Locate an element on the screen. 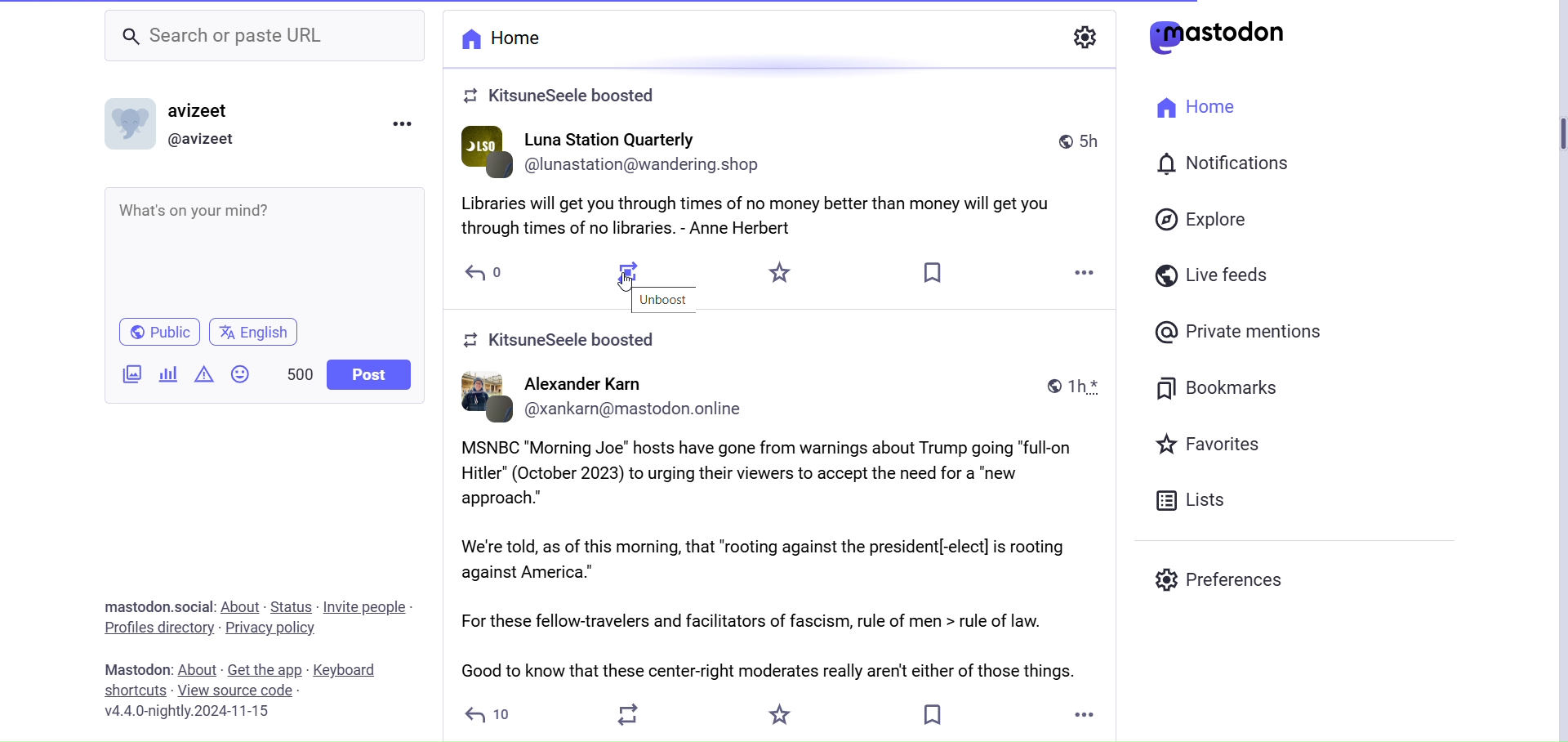 The width and height of the screenshot is (1568, 742). Preferences is located at coordinates (1217, 581).